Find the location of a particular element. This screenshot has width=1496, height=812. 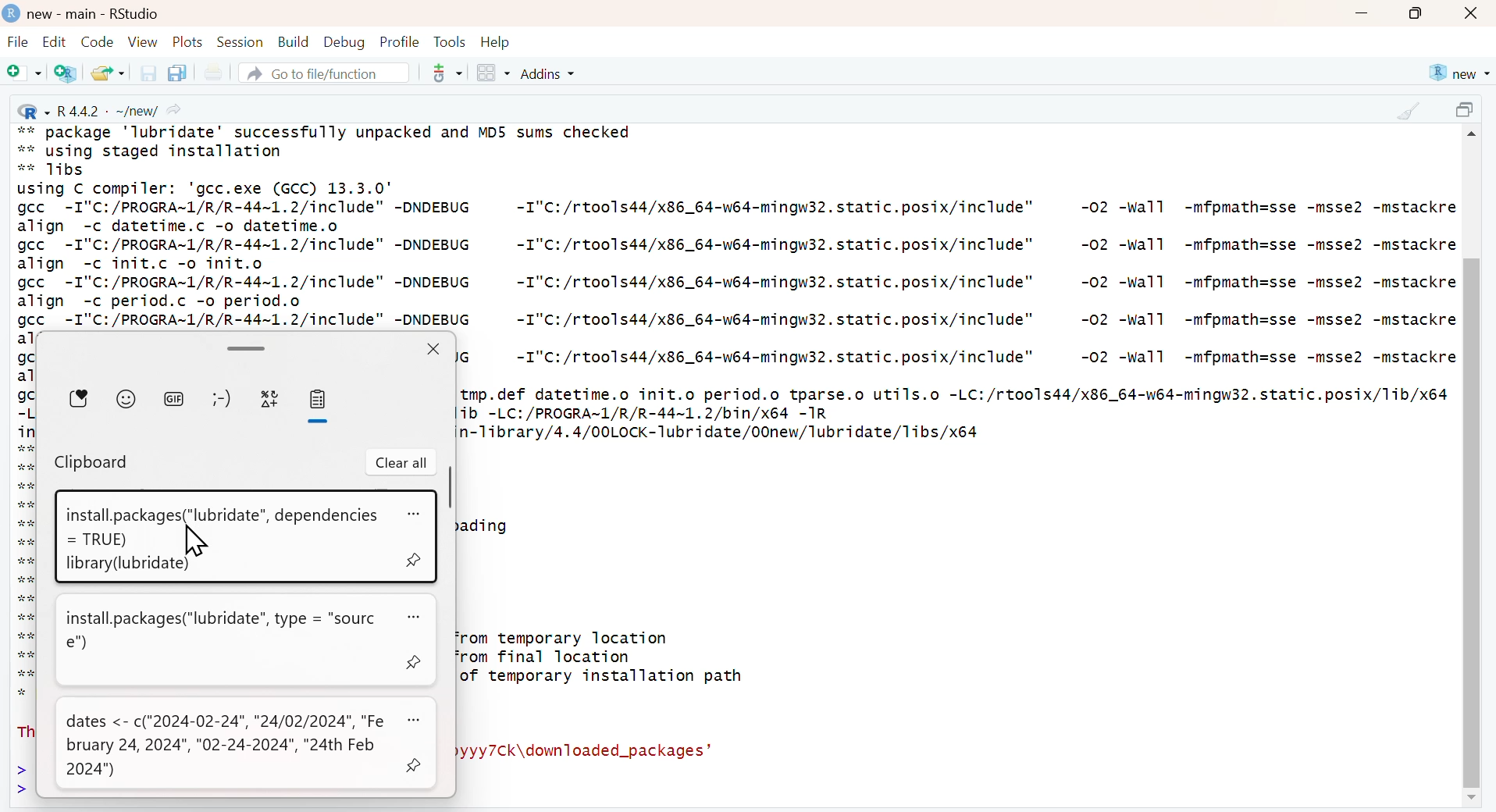

new is located at coordinates (1458, 73).